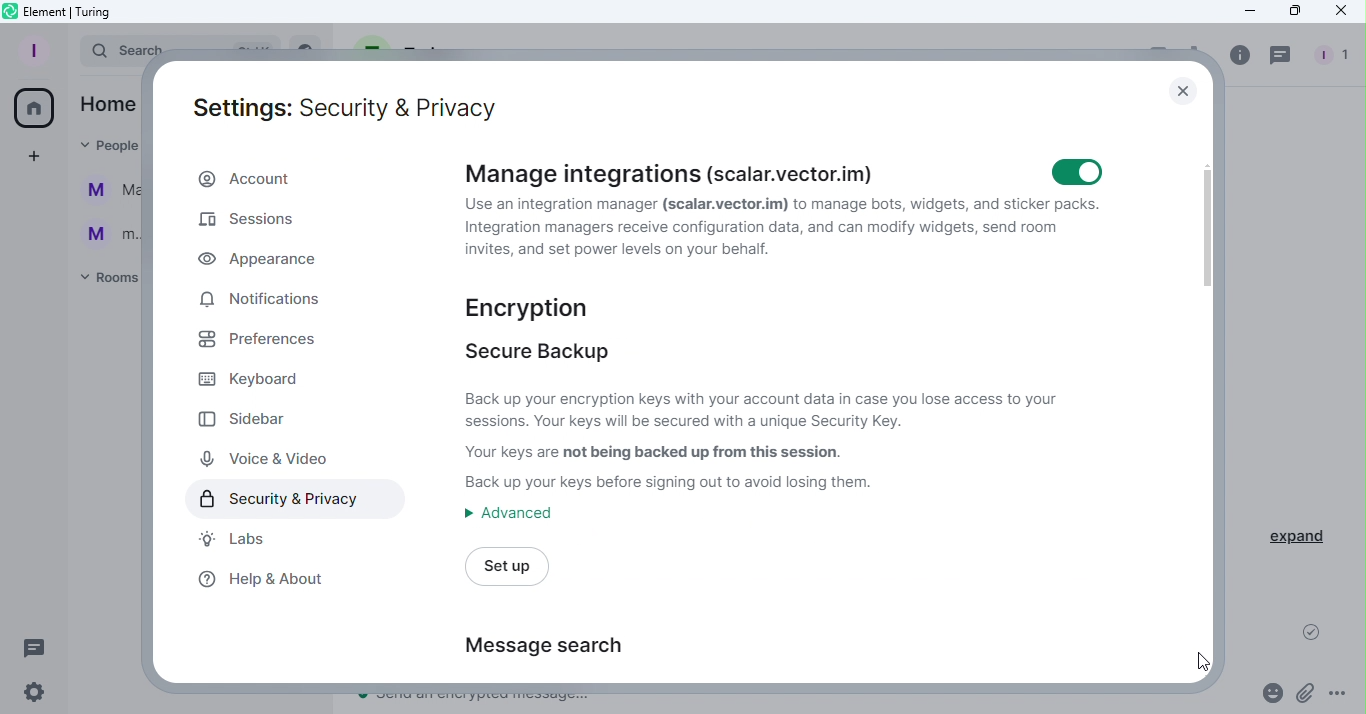 This screenshot has height=714, width=1366. Describe the element at coordinates (38, 647) in the screenshot. I see `Threads` at that location.